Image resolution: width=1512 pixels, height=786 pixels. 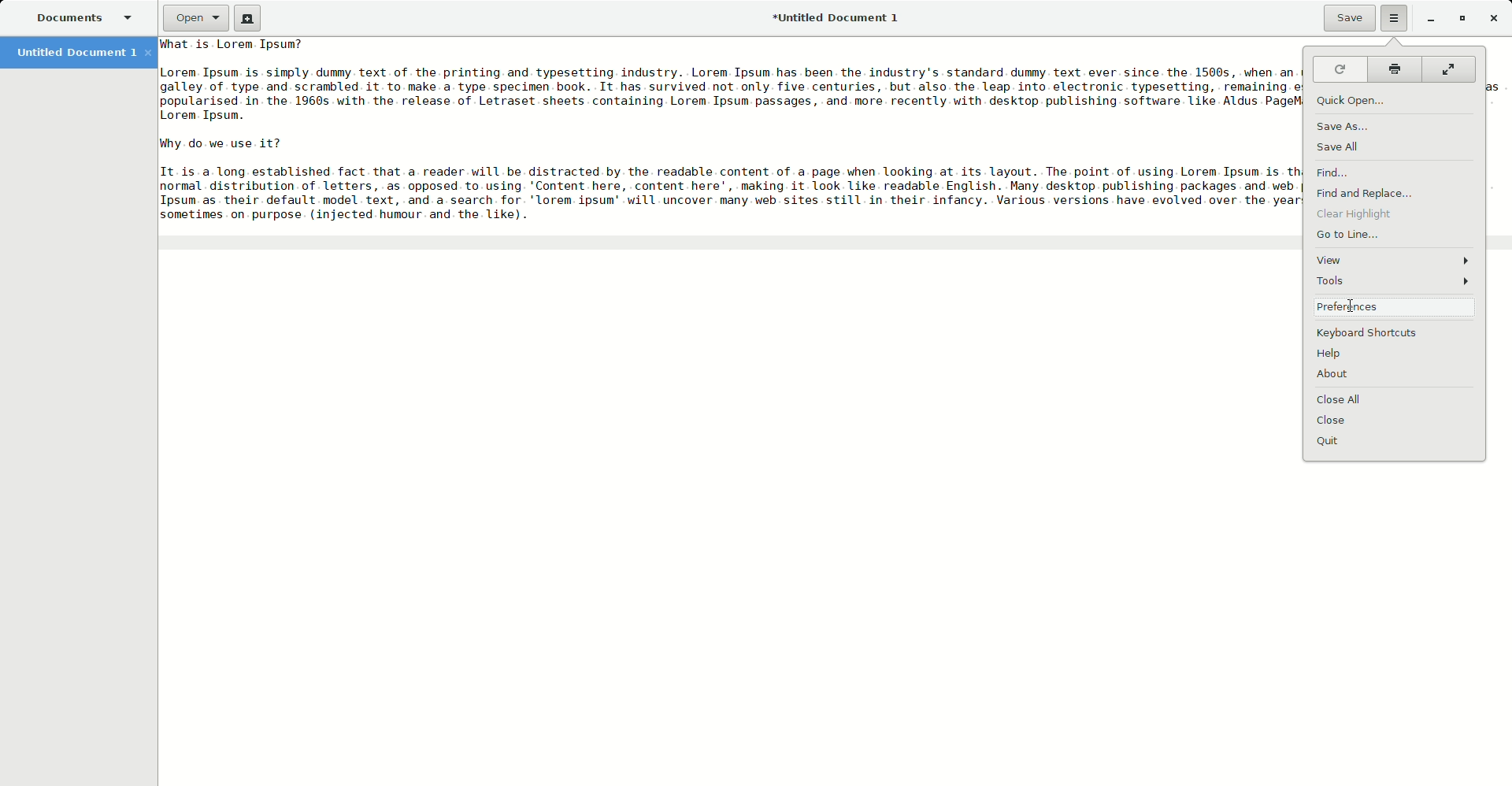 What do you see at coordinates (193, 19) in the screenshot?
I see `Open` at bounding box center [193, 19].